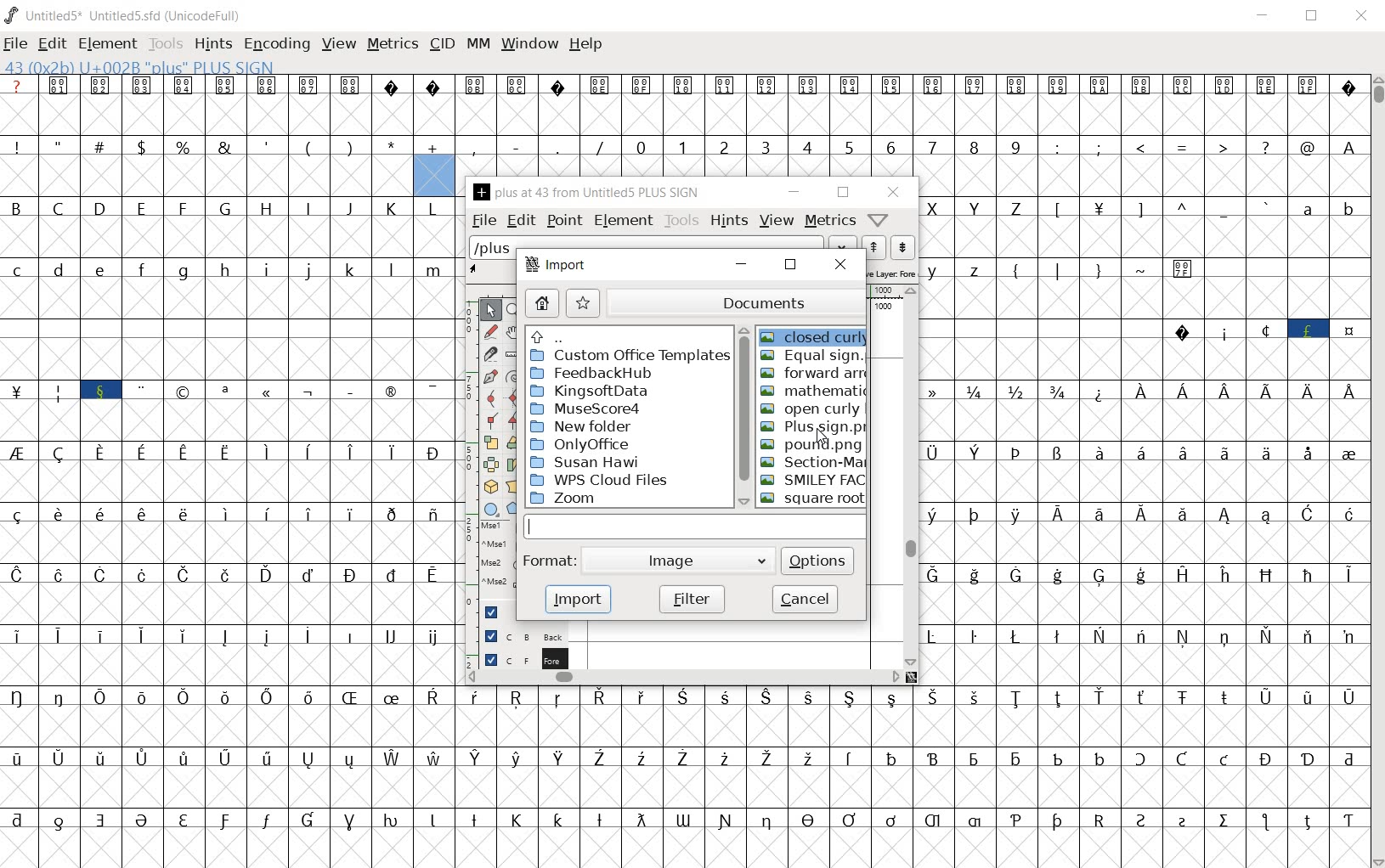 The width and height of the screenshot is (1385, 868). I want to click on restore, so click(845, 194).